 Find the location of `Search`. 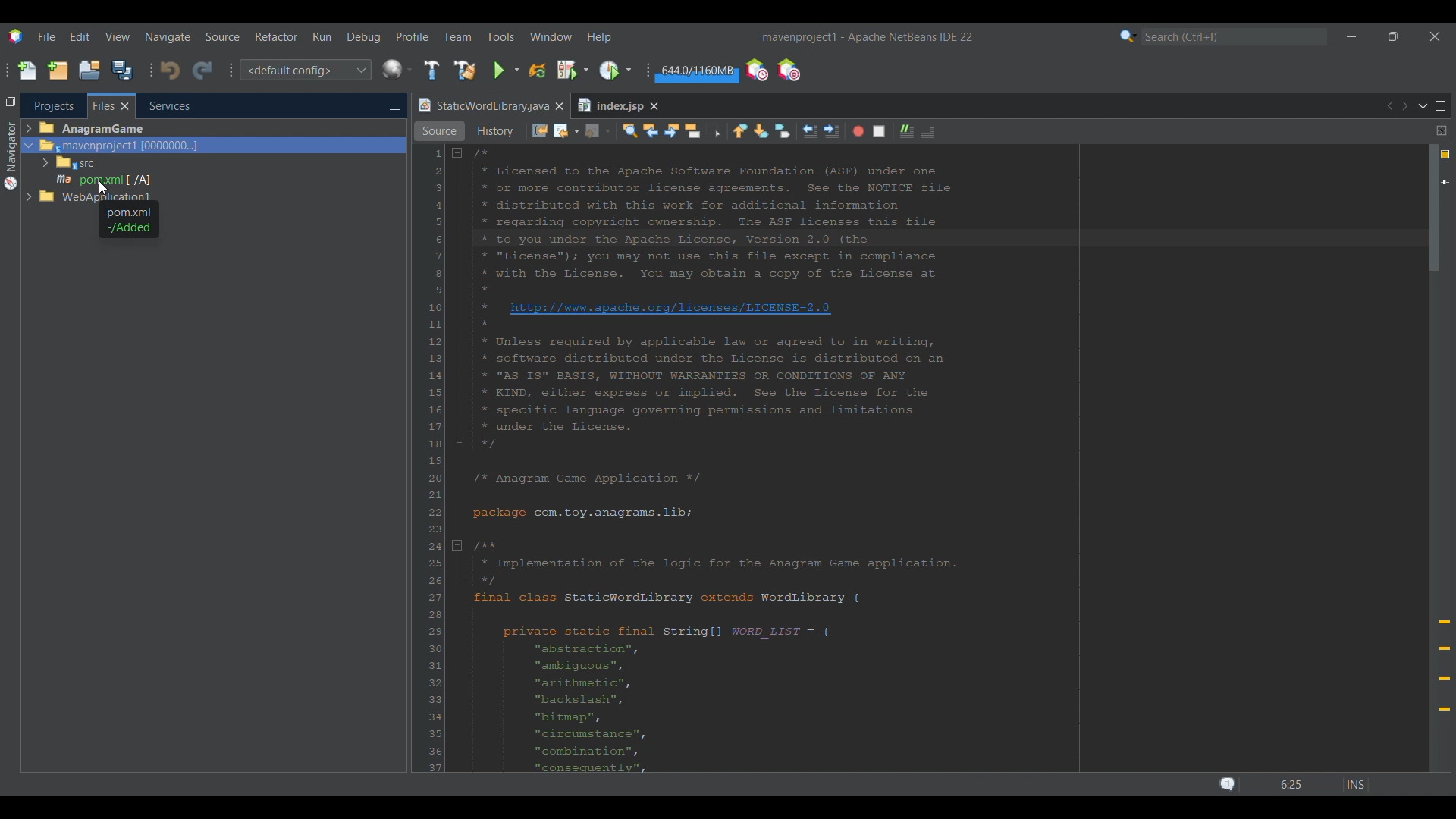

Search is located at coordinates (1235, 37).